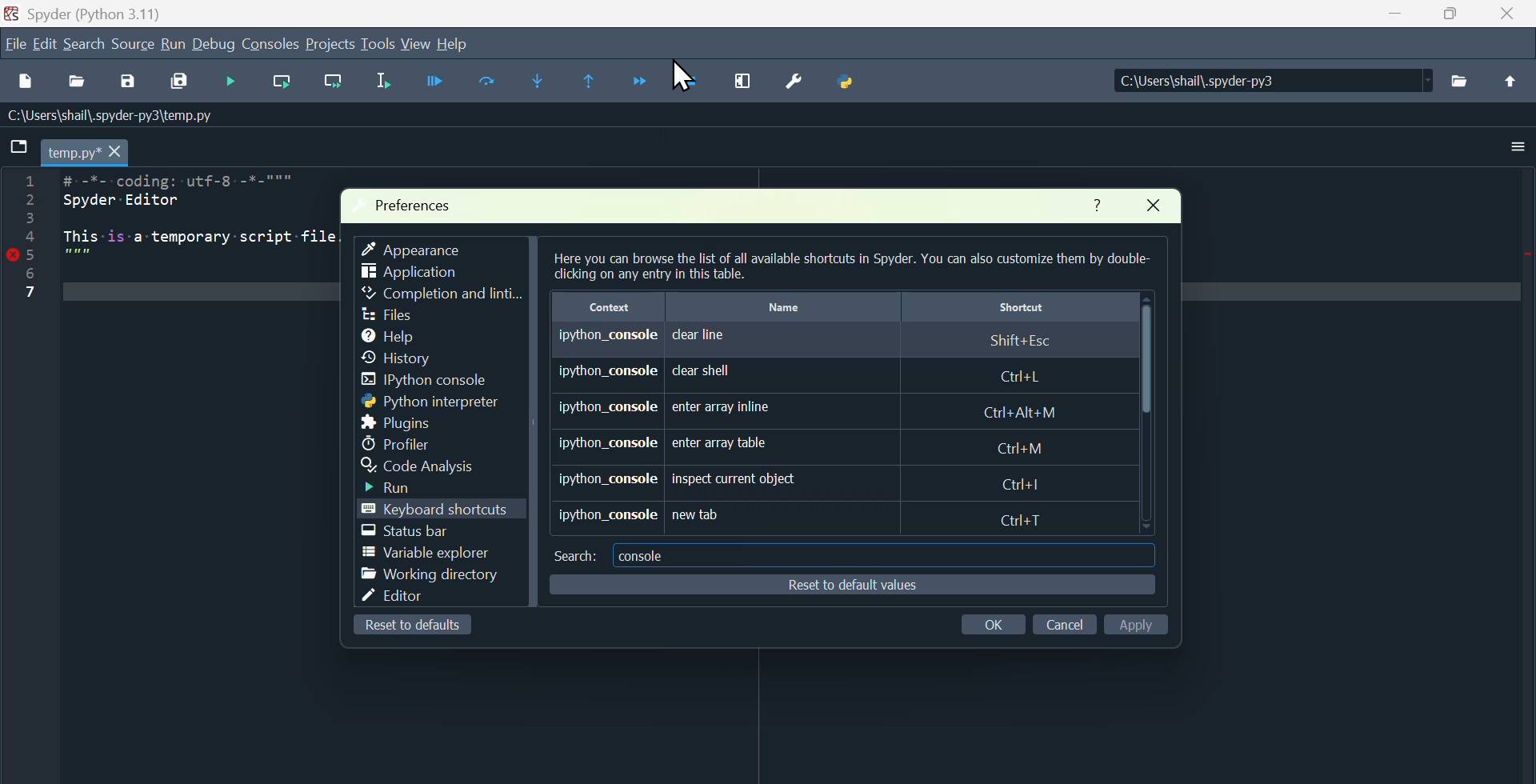  What do you see at coordinates (73, 154) in the screenshot?
I see `Filename` at bounding box center [73, 154].